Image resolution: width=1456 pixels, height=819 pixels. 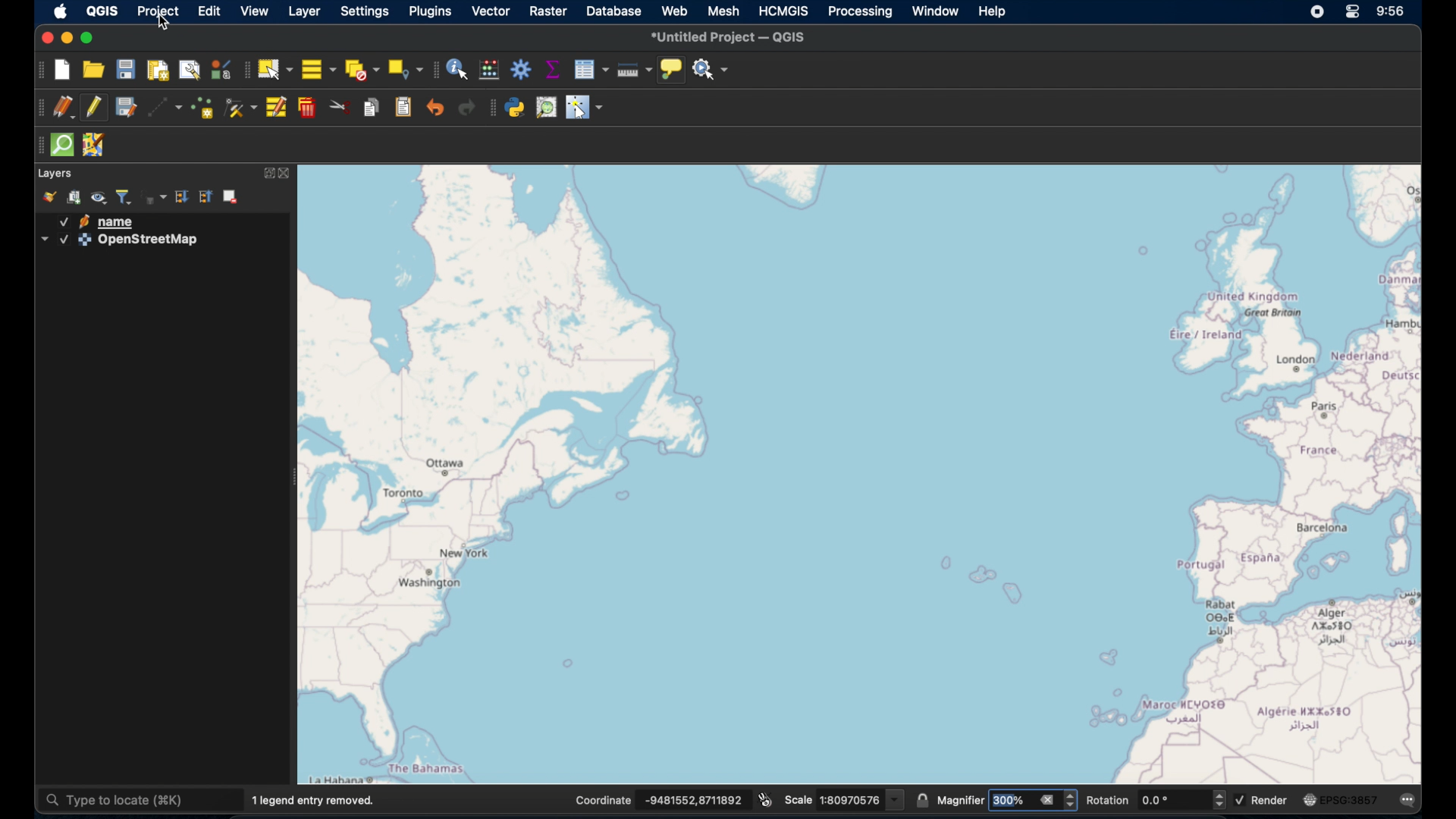 What do you see at coordinates (125, 70) in the screenshot?
I see `save project` at bounding box center [125, 70].